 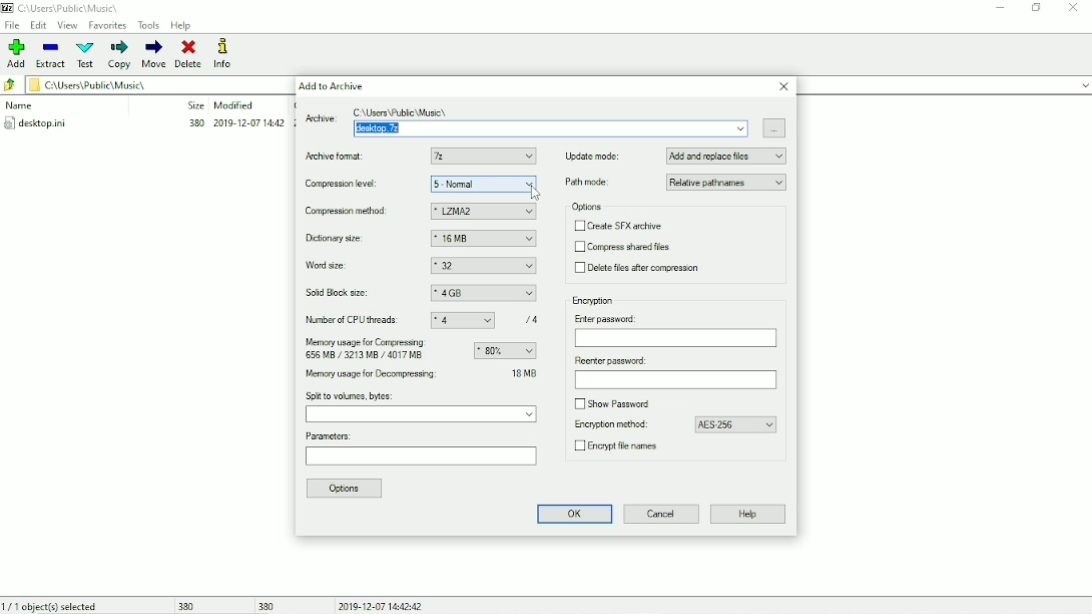 I want to click on Move, so click(x=154, y=54).